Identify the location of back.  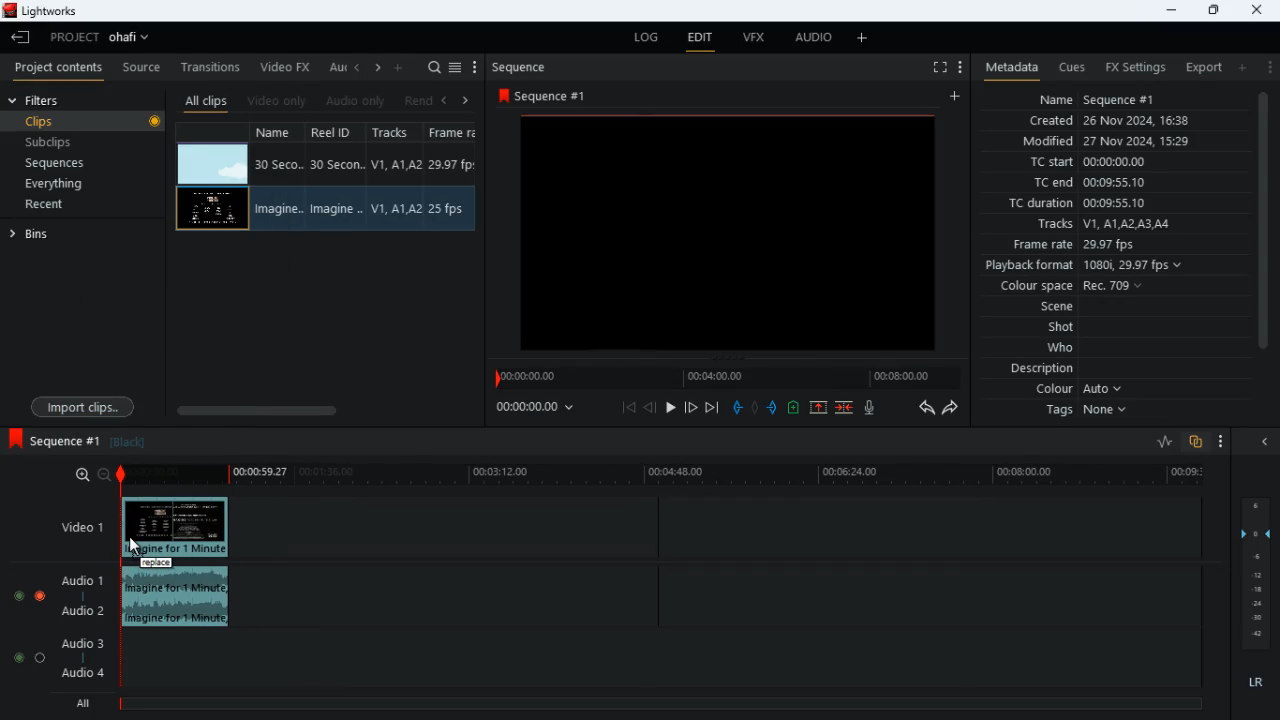
(443, 101).